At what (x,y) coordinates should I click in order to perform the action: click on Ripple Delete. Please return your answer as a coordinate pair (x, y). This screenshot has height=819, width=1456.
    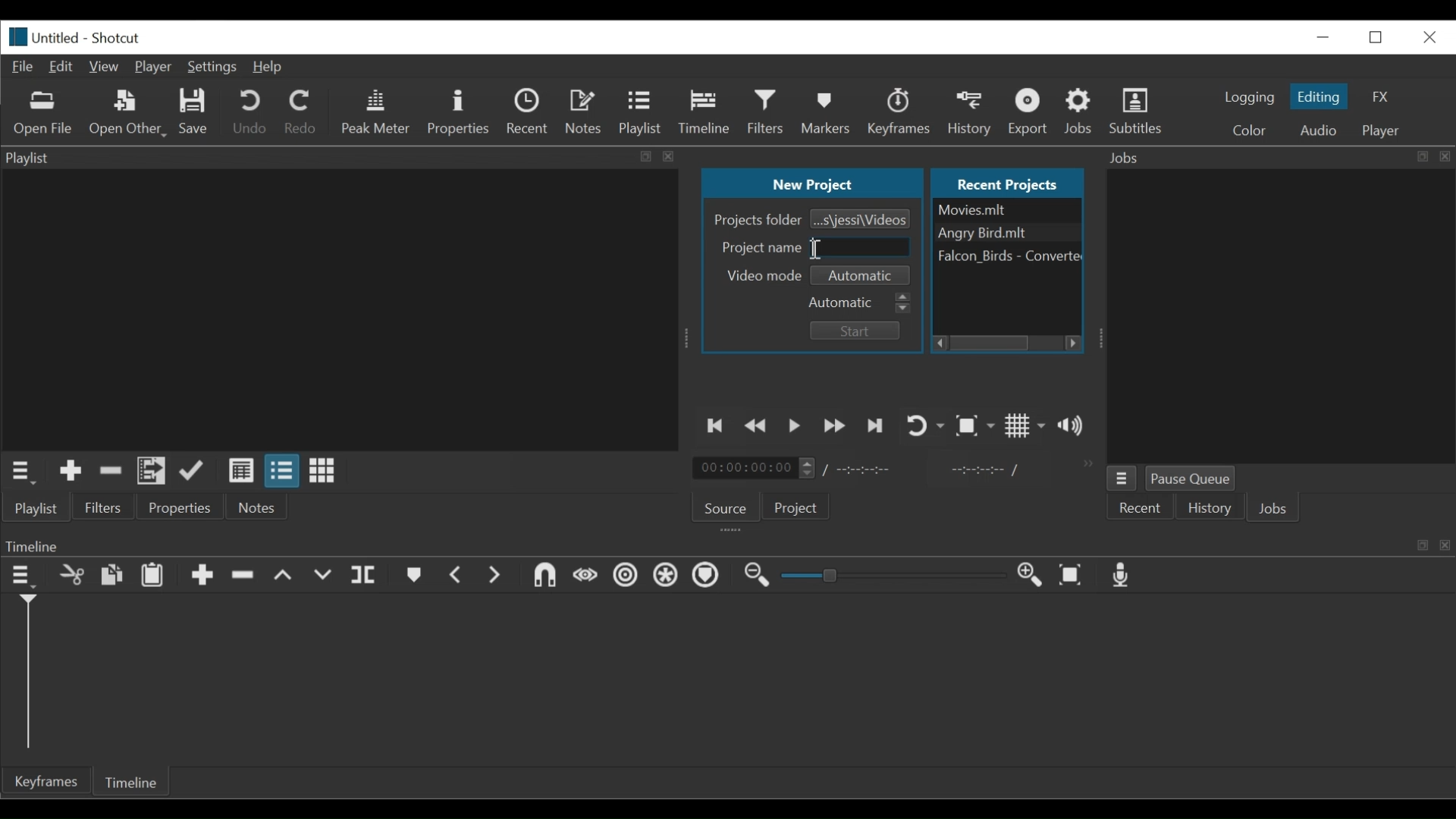
    Looking at the image, I should click on (247, 576).